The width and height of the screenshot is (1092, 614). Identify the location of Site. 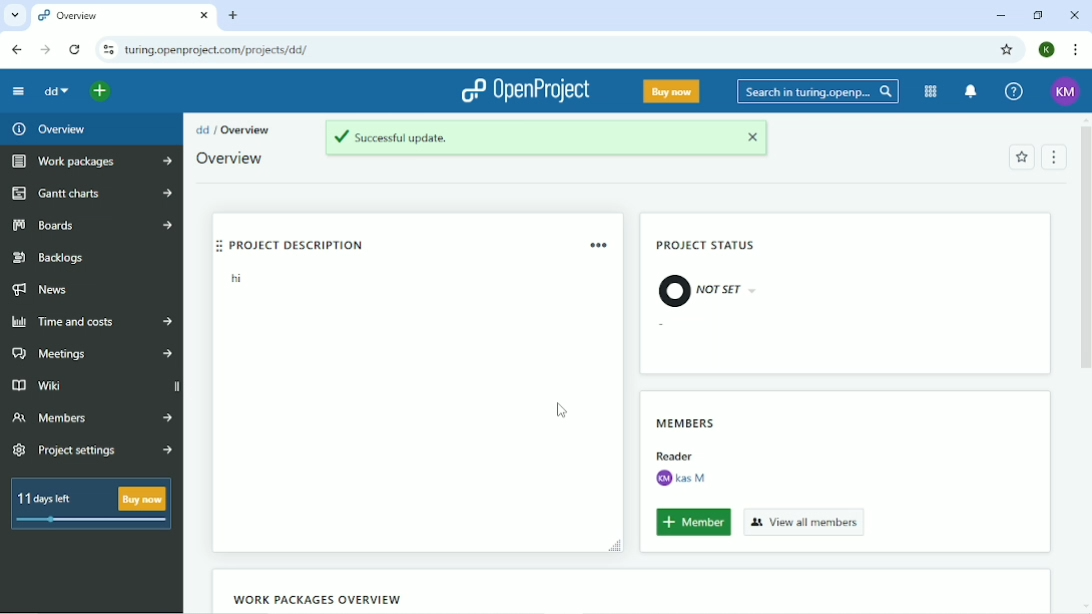
(219, 50).